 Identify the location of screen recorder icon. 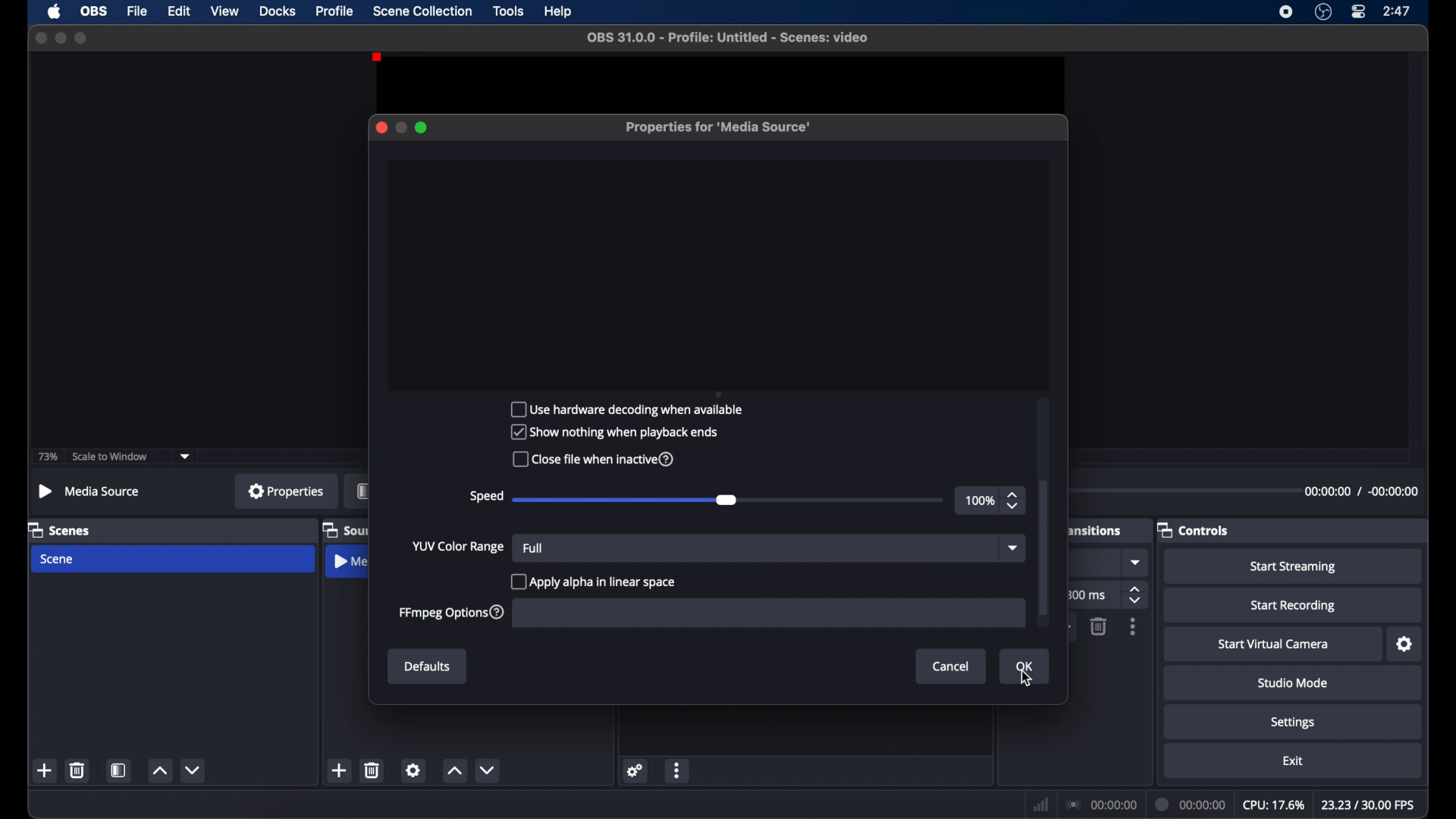
(1286, 12).